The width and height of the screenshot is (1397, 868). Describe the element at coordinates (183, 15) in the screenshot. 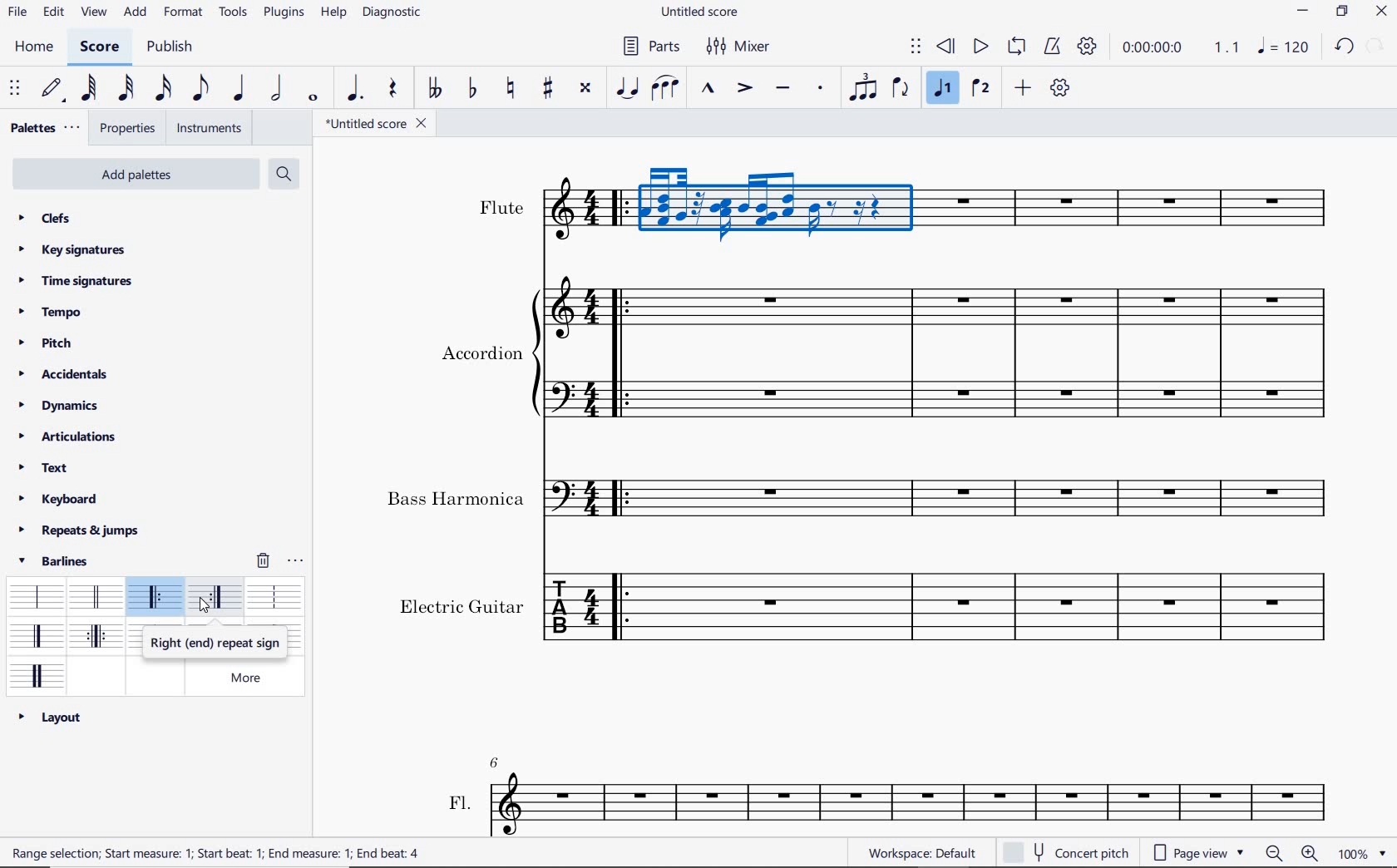

I see `format` at that location.